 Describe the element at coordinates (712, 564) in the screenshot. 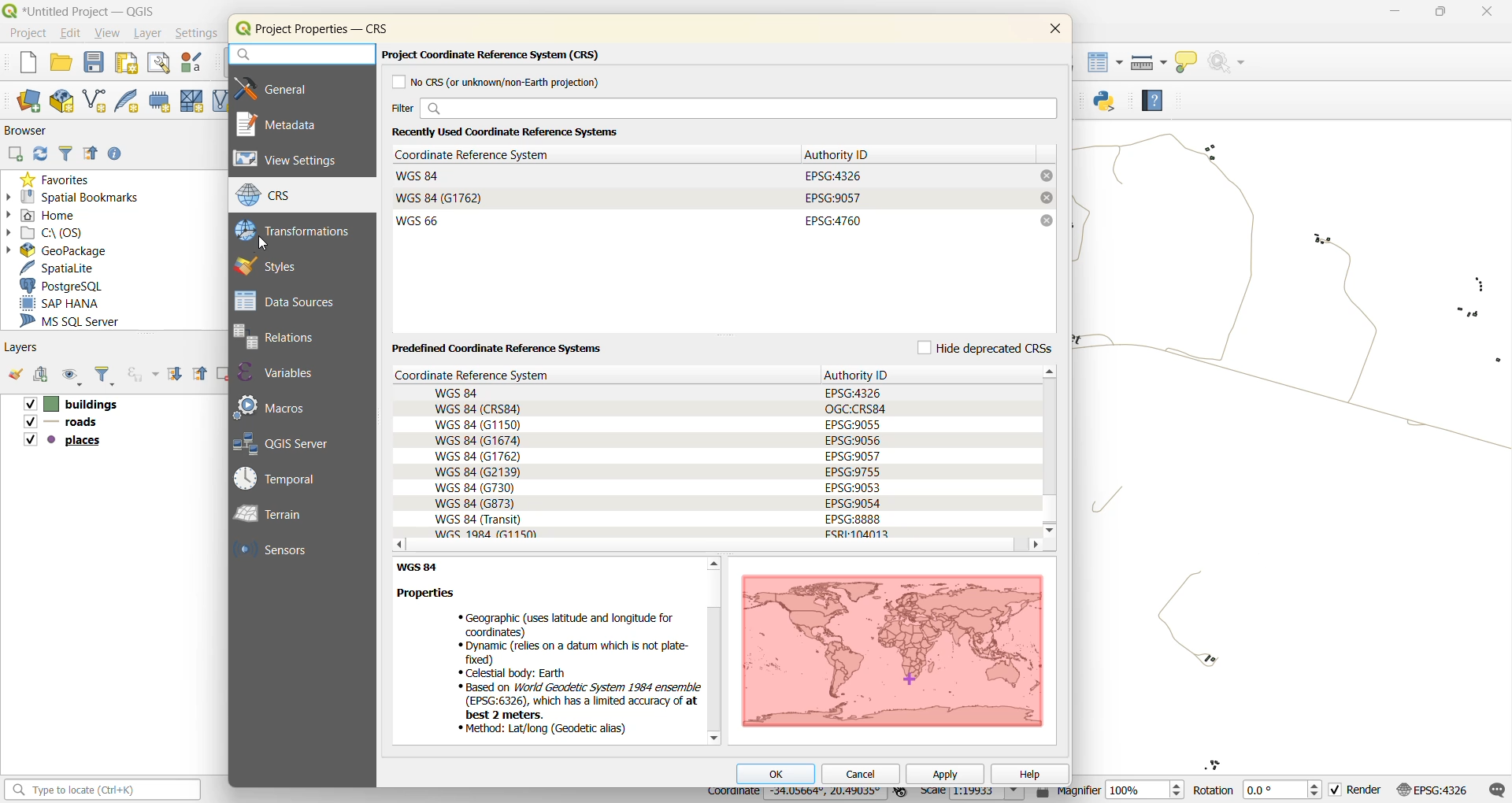

I see `scroll up` at that location.